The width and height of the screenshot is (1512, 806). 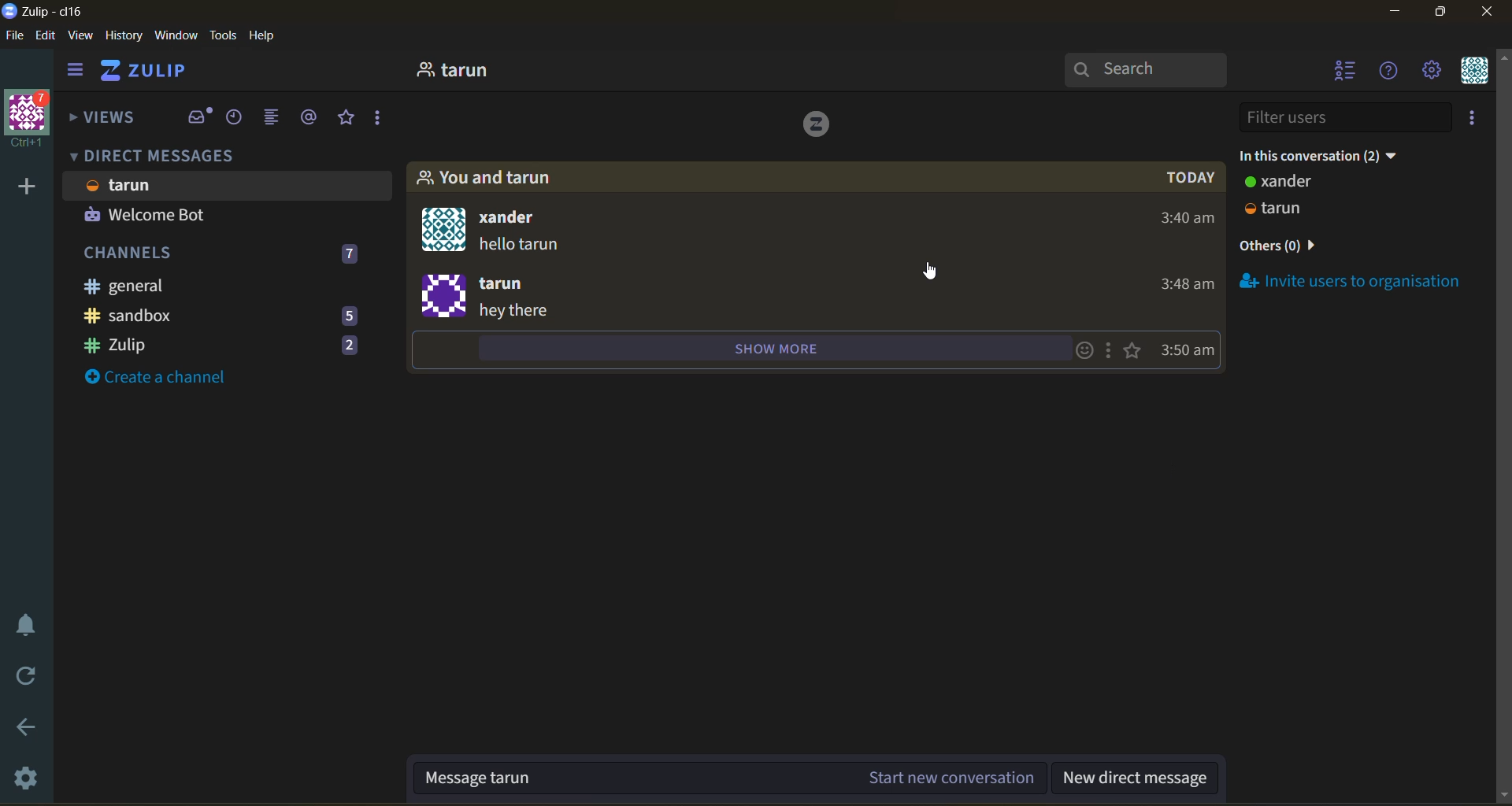 I want to click on reload, so click(x=21, y=672).